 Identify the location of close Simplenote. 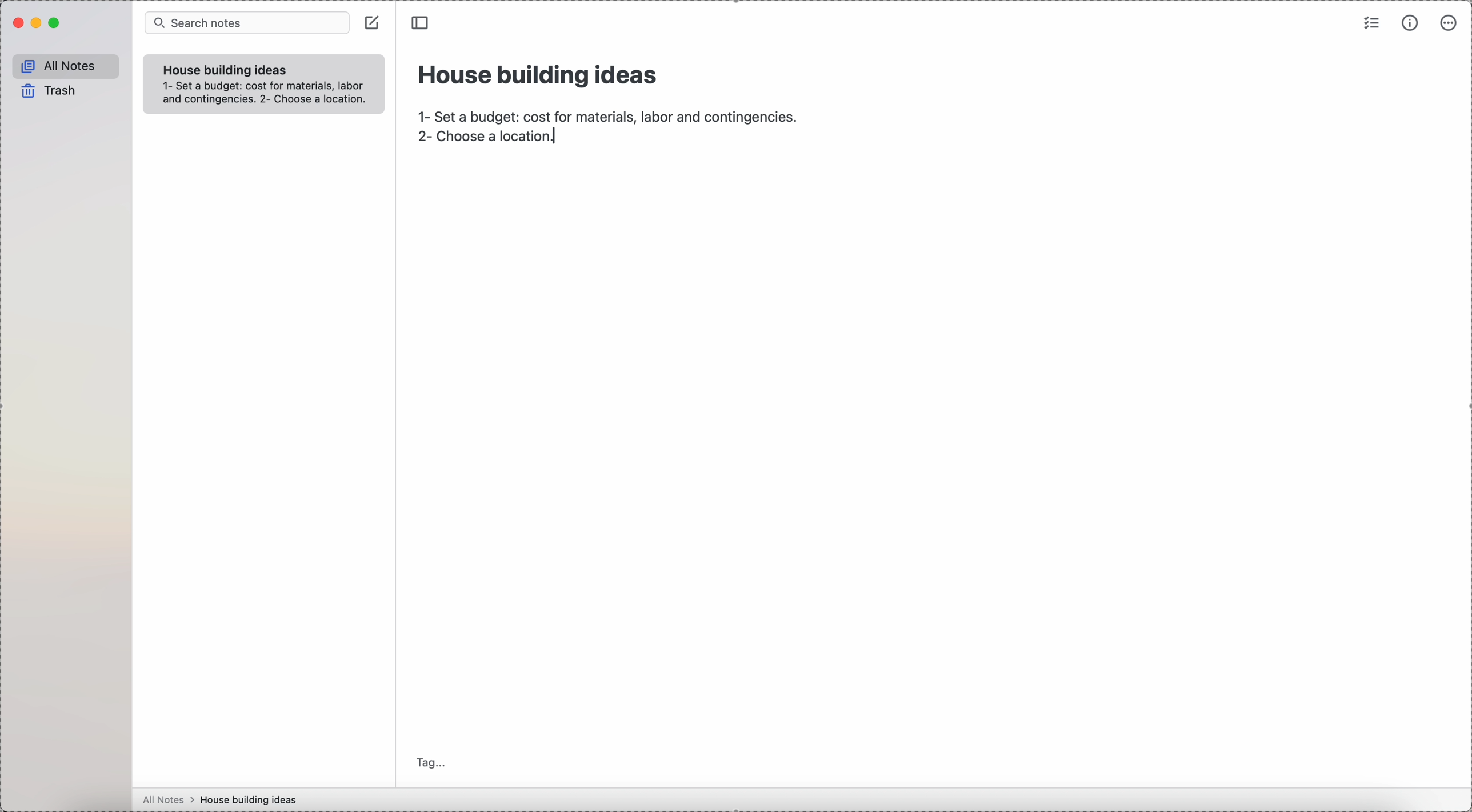
(18, 23).